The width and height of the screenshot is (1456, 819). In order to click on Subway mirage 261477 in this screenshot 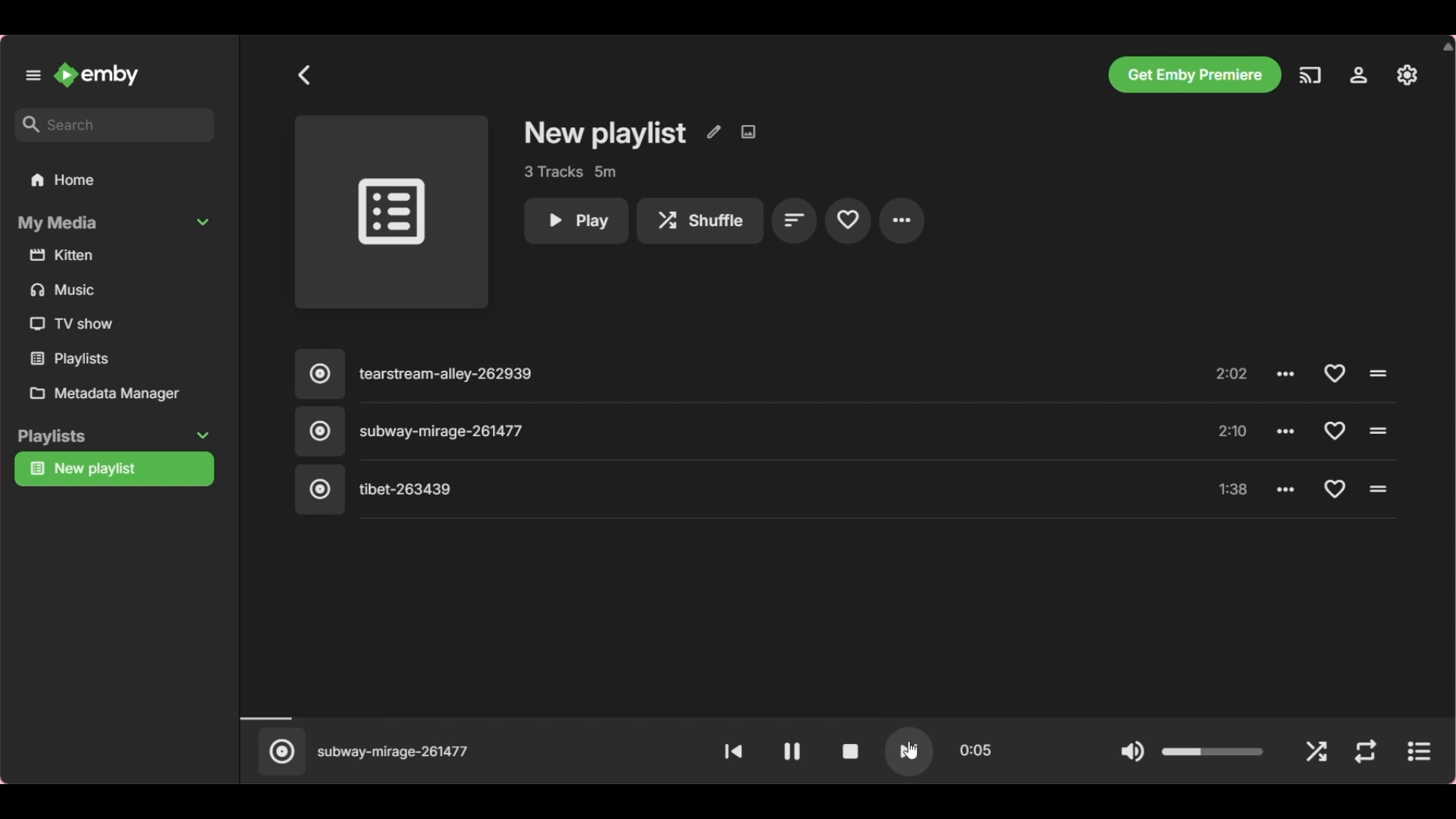, I will do `click(419, 431)`.